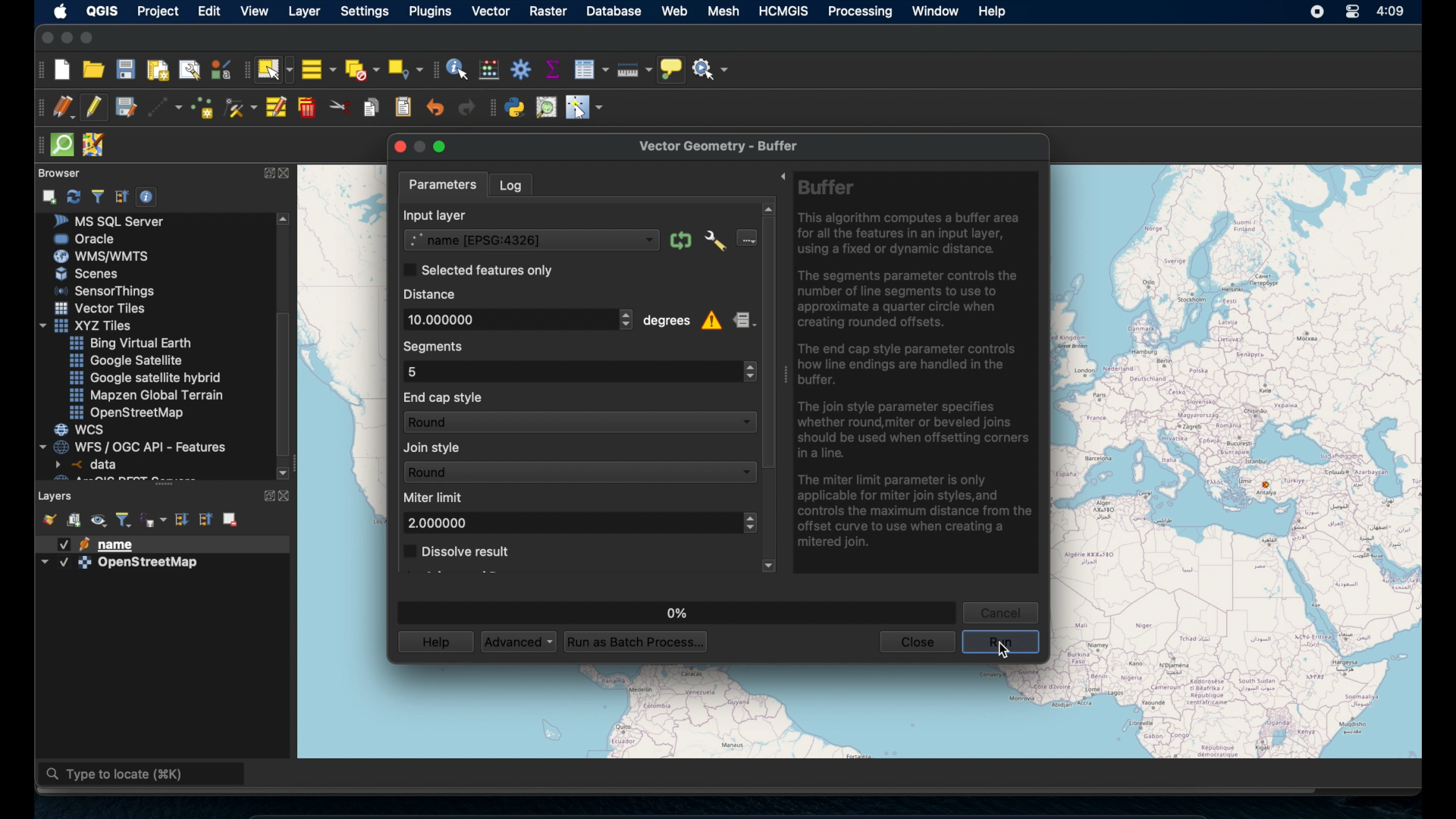 The width and height of the screenshot is (1456, 819). What do you see at coordinates (457, 69) in the screenshot?
I see `identify features` at bounding box center [457, 69].